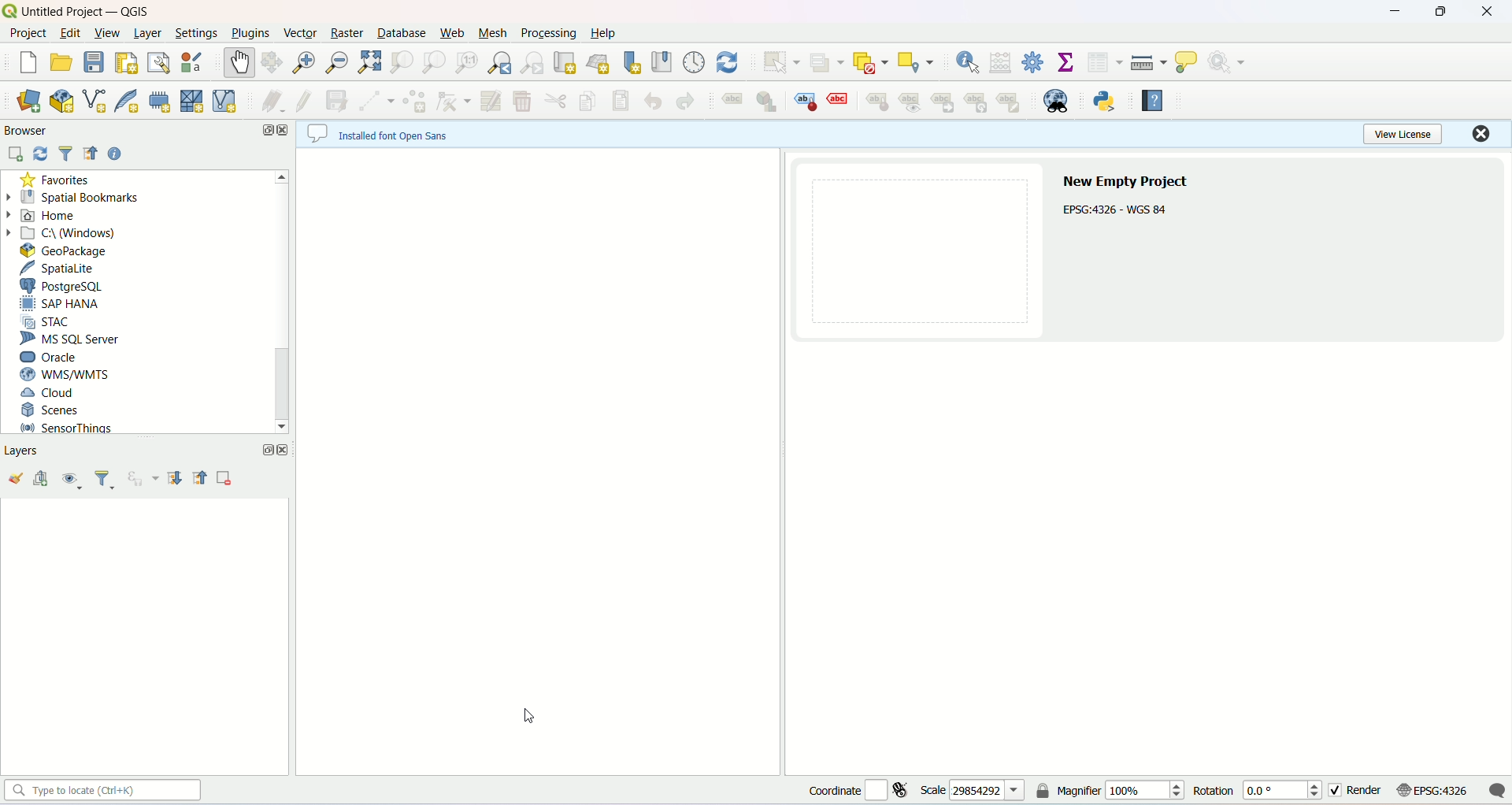 The height and width of the screenshot is (805, 1512). I want to click on refresh, so click(38, 152).